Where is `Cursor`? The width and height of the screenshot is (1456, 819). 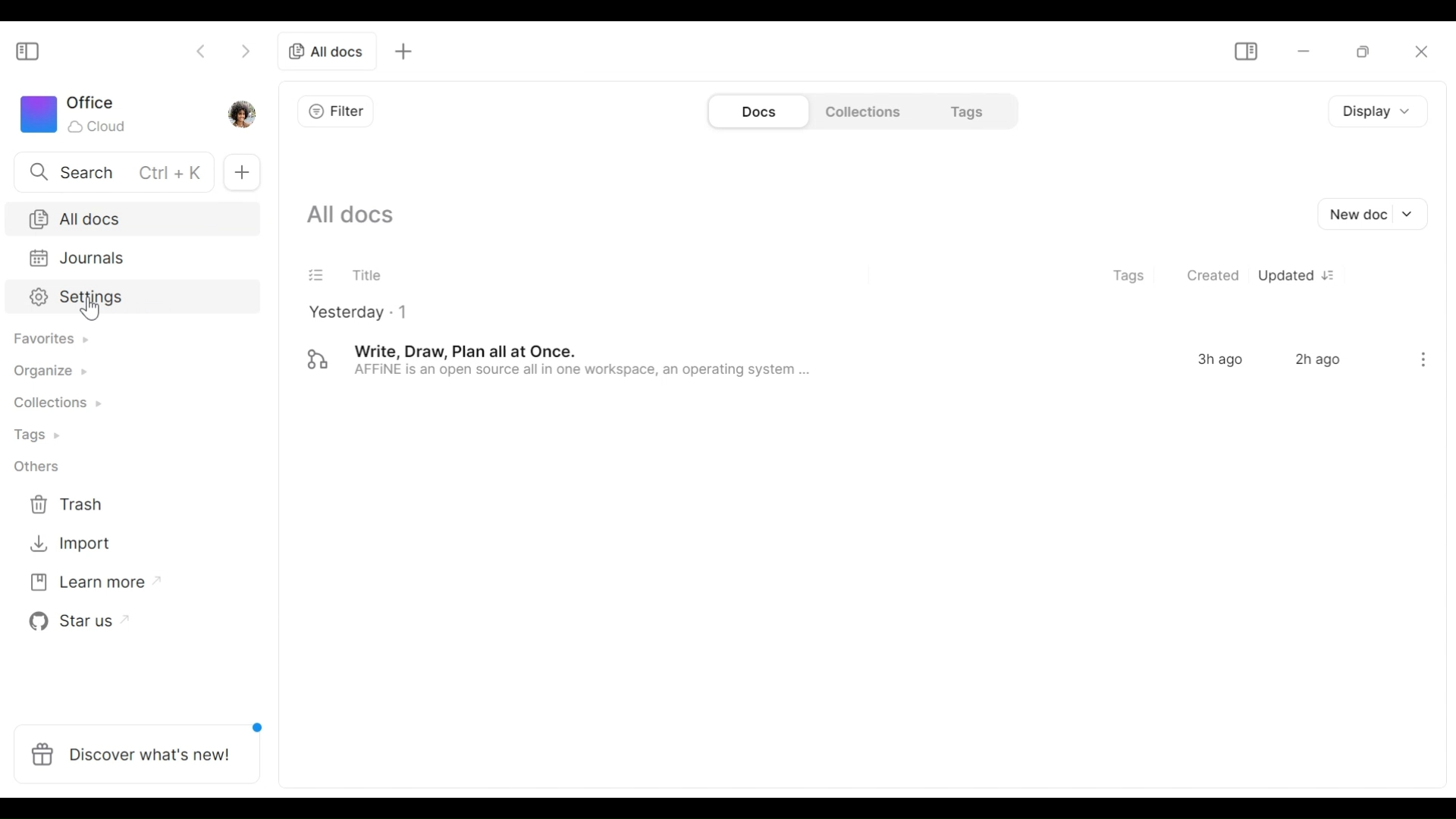
Cursor is located at coordinates (100, 312).